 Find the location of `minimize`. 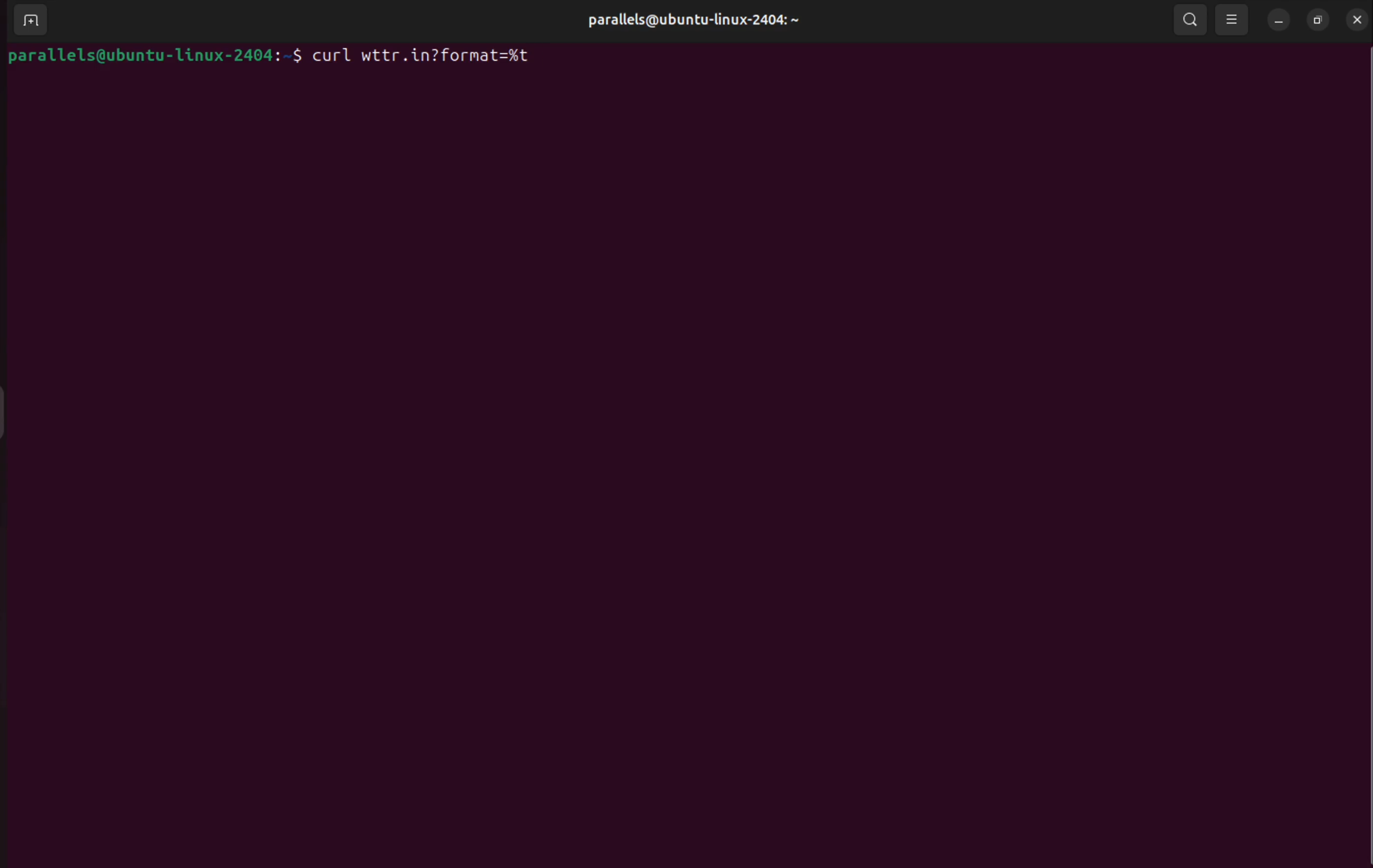

minimize is located at coordinates (1277, 21).